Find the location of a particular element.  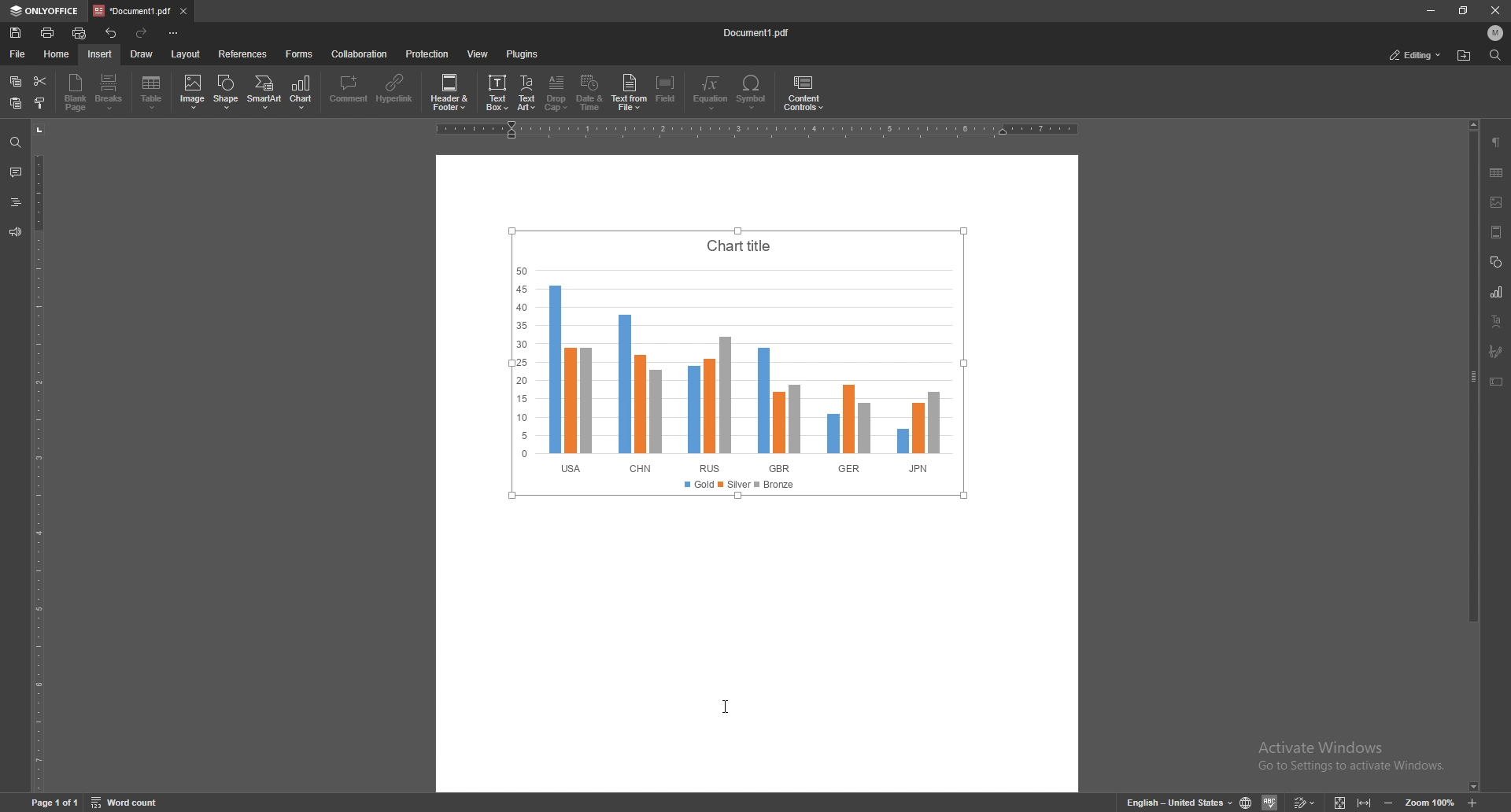

Zoom 100% is located at coordinates (1434, 802).